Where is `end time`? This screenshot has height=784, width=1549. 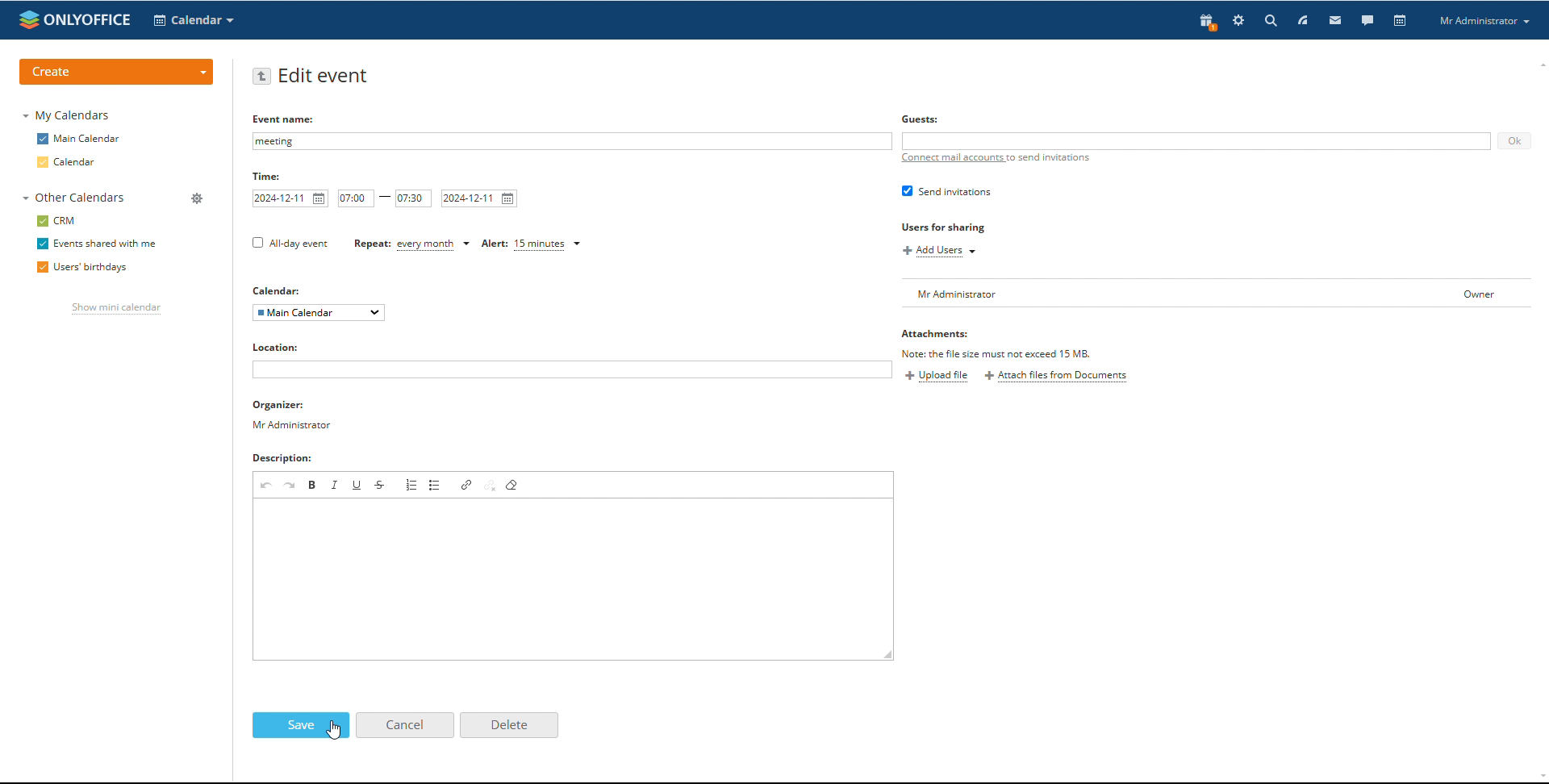
end time is located at coordinates (414, 198).